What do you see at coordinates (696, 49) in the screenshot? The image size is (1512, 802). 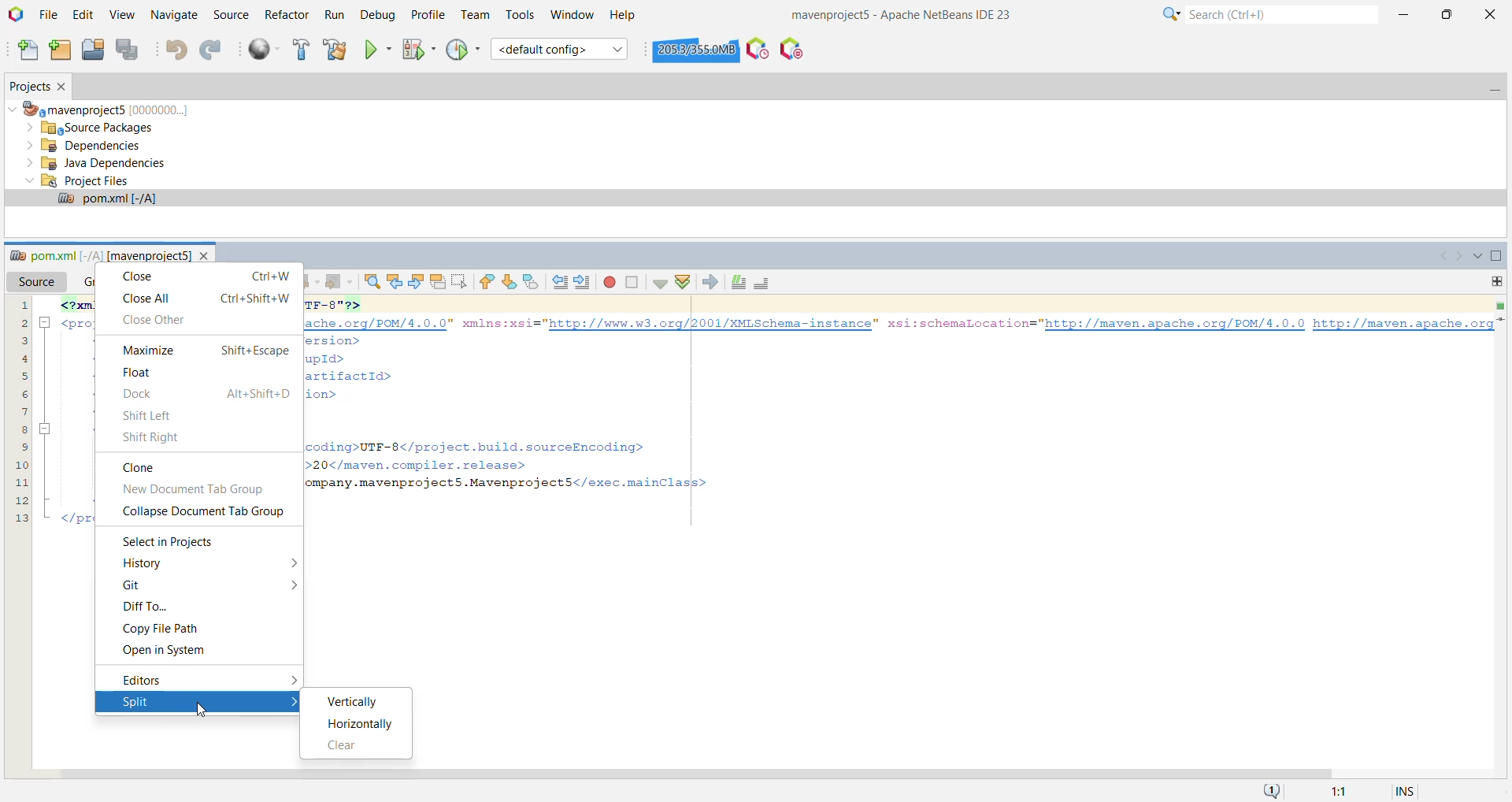 I see `Click to force garbage collection` at bounding box center [696, 49].